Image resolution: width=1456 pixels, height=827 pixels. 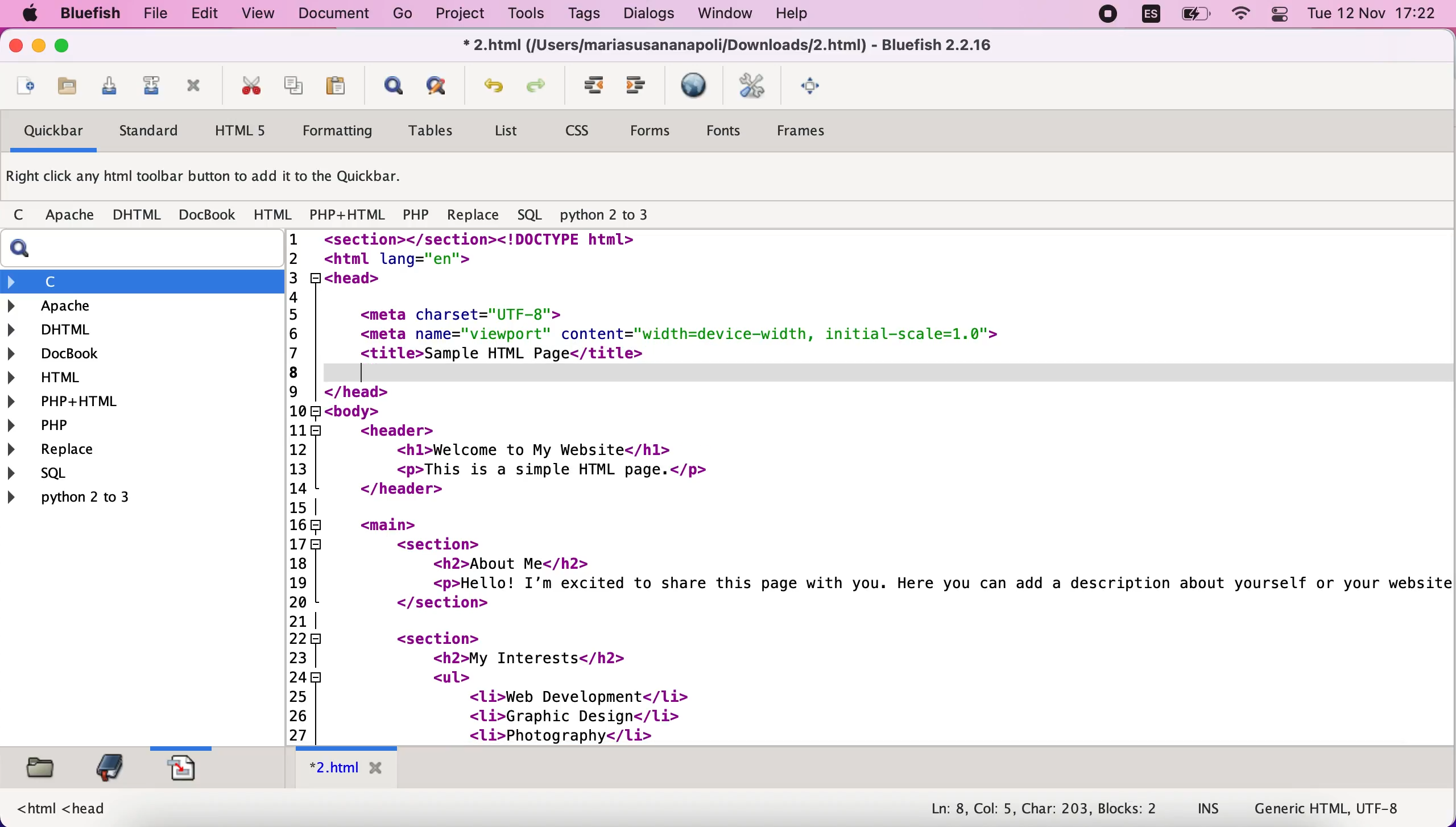 I want to click on new file, so click(x=26, y=82).